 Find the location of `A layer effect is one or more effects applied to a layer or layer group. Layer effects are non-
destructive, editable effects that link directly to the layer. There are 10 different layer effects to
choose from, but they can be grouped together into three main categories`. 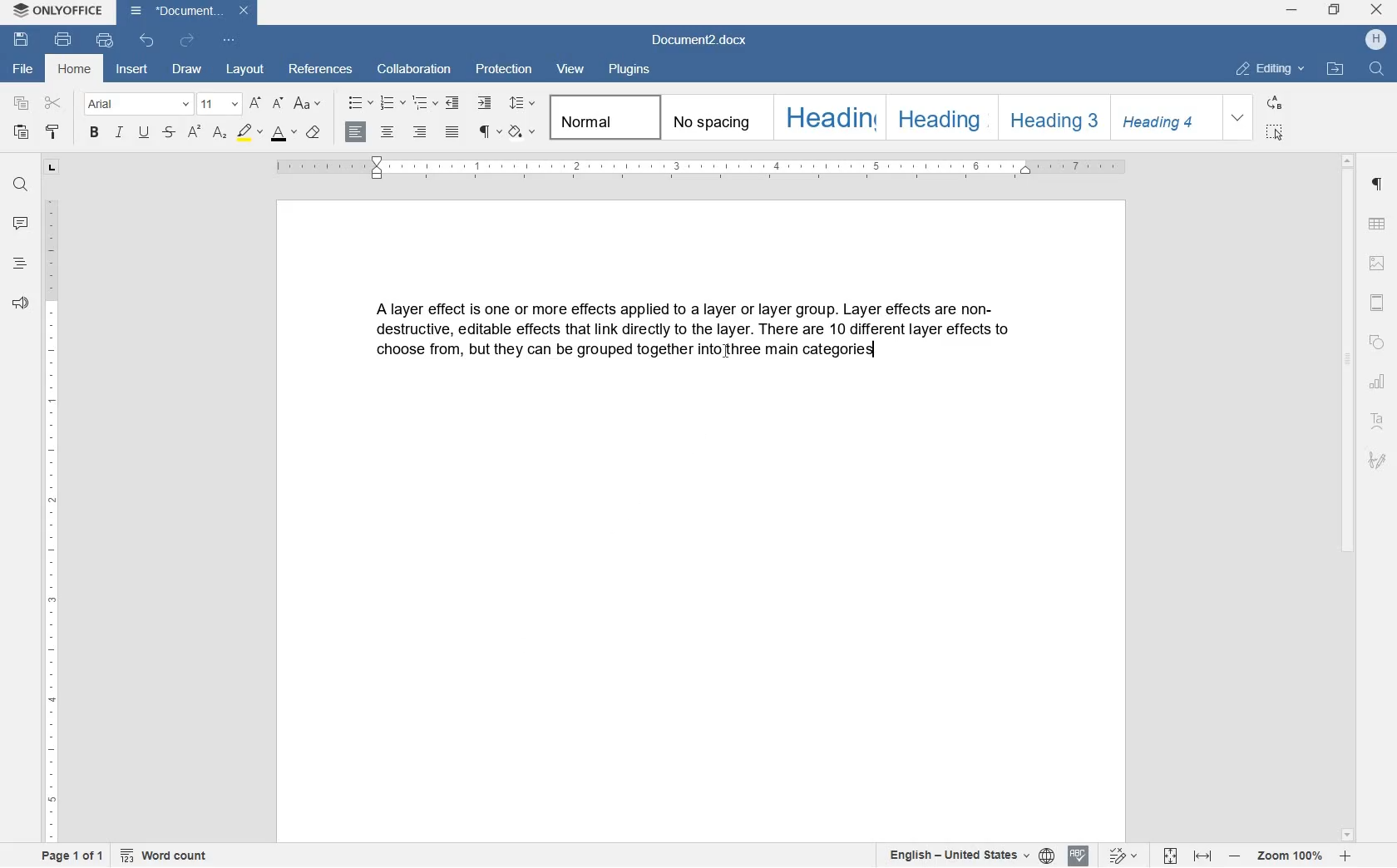

A layer effect is one or more effects applied to a layer or layer group. Layer effects are non-
destructive, editable effects that link directly to the layer. There are 10 different layer effects to
choose from, but they can be grouped together into three main categories is located at coordinates (697, 347).